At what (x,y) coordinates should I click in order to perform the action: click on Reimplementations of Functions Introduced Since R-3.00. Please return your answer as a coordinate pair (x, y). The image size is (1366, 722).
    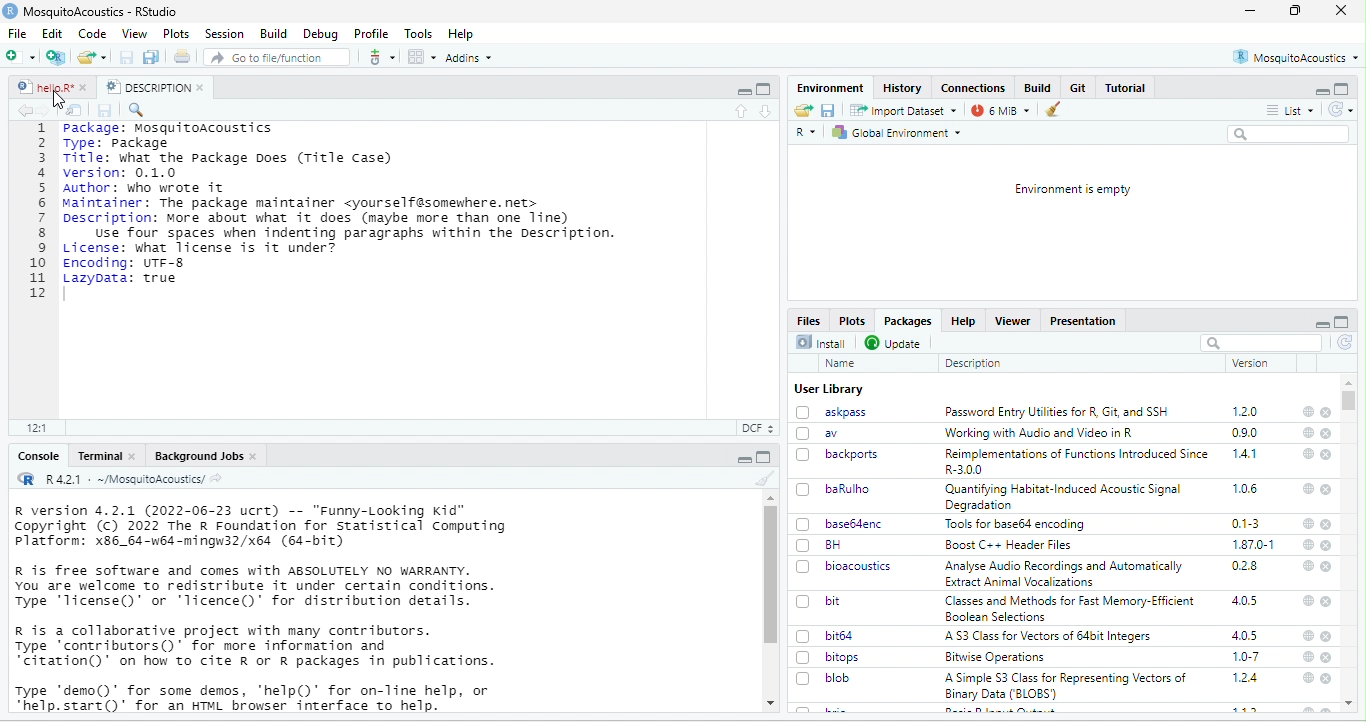
    Looking at the image, I should click on (1076, 462).